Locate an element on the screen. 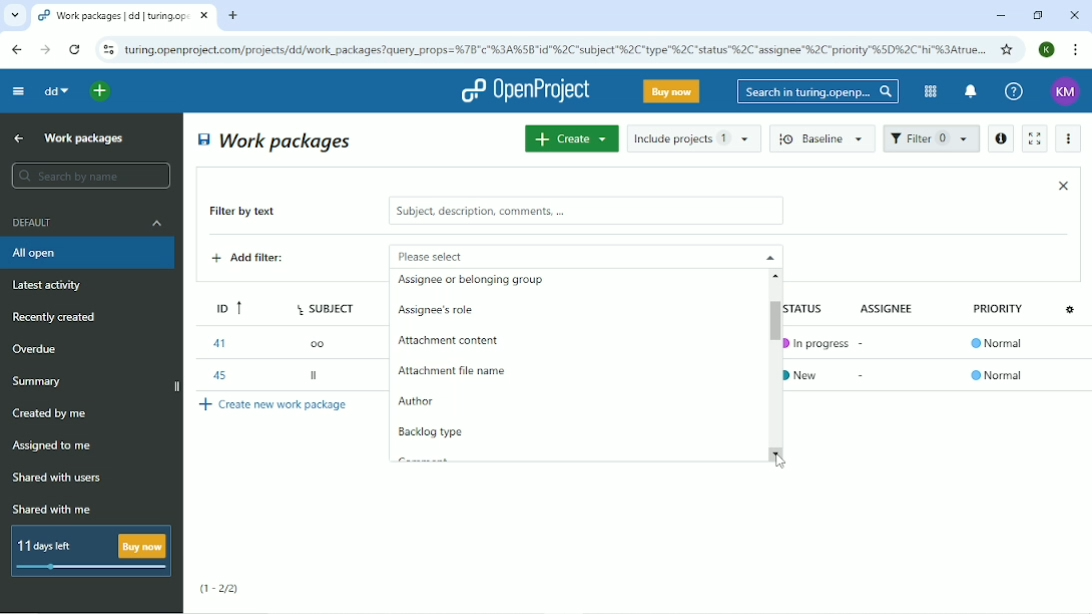 The image size is (1092, 614). Overdue is located at coordinates (37, 350).